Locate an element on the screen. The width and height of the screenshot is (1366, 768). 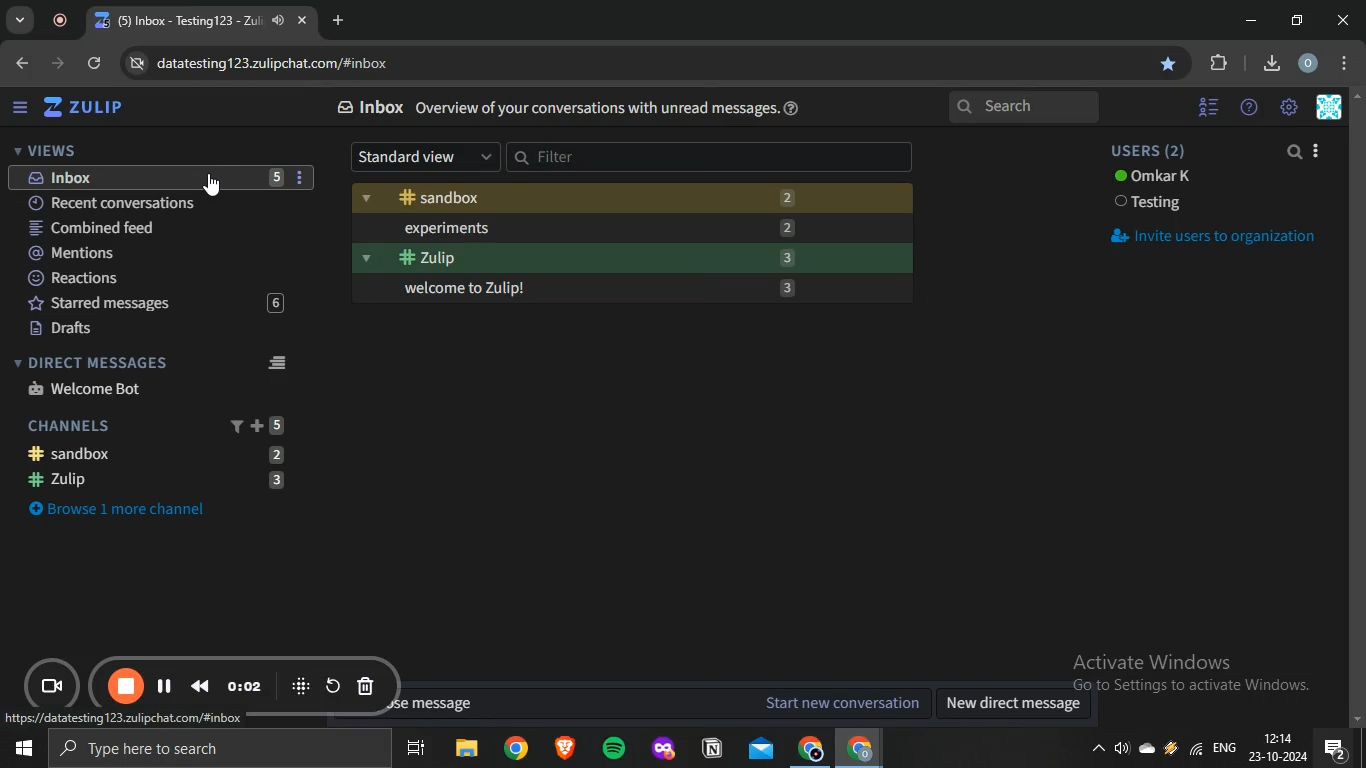
hide user list menu is located at coordinates (1209, 104).